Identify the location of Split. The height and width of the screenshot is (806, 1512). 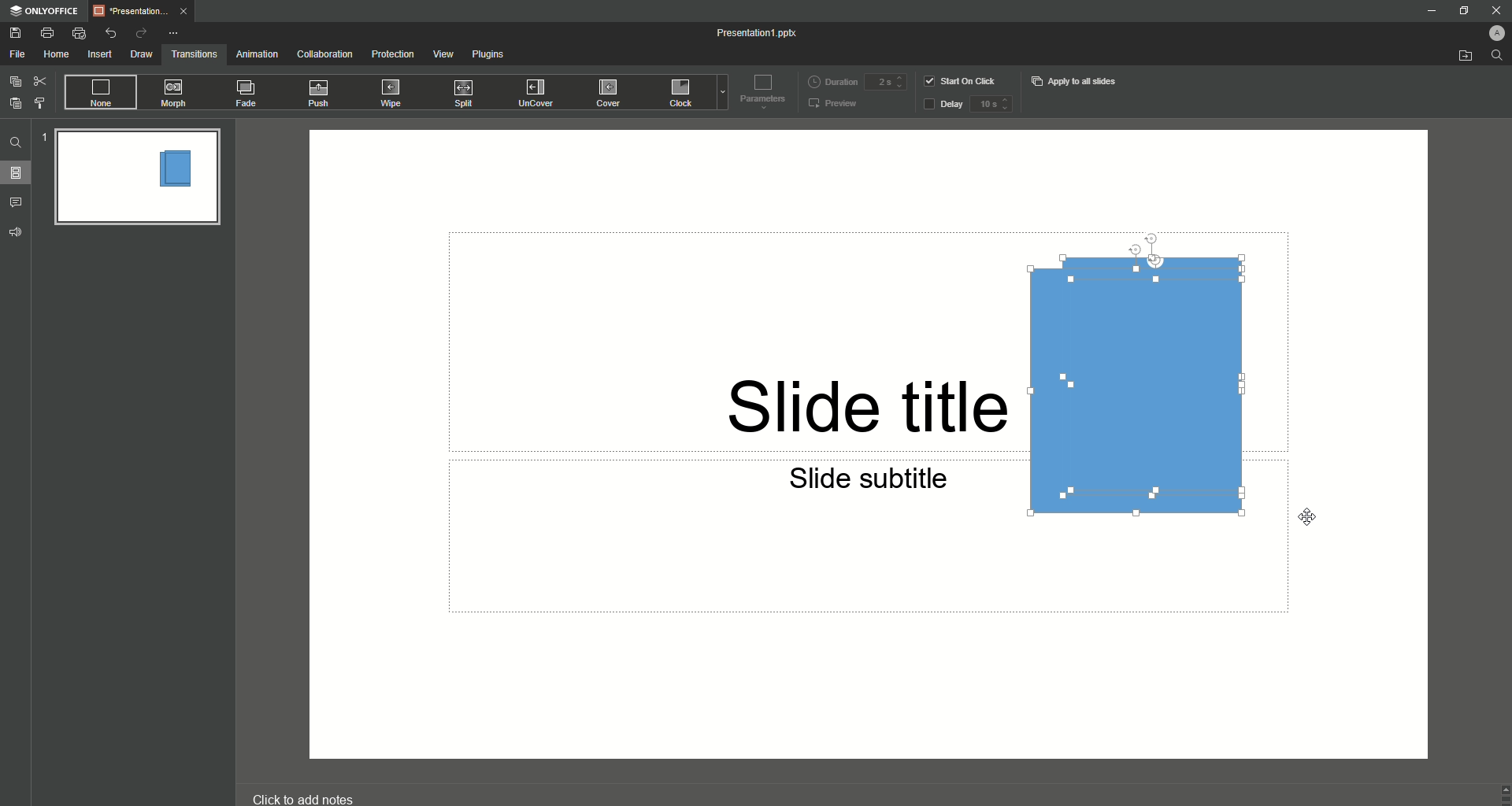
(467, 94).